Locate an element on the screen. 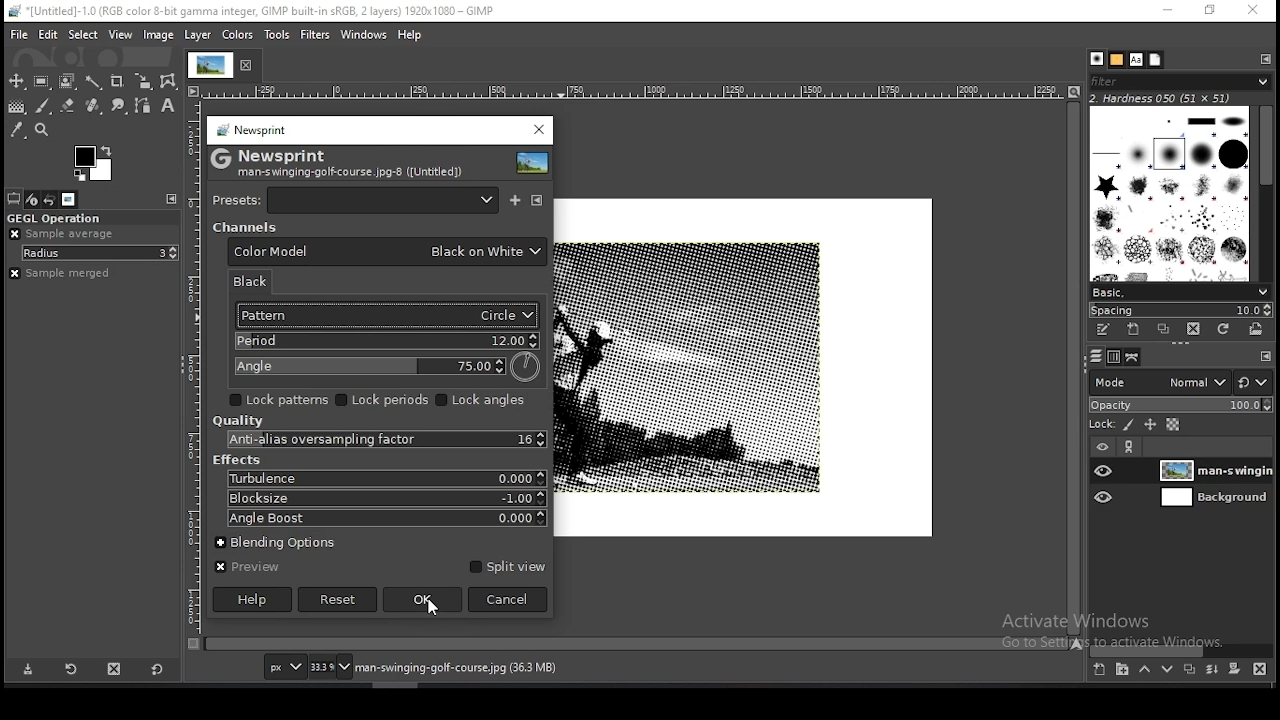 This screenshot has height=720, width=1280. edit is located at coordinates (48, 36).